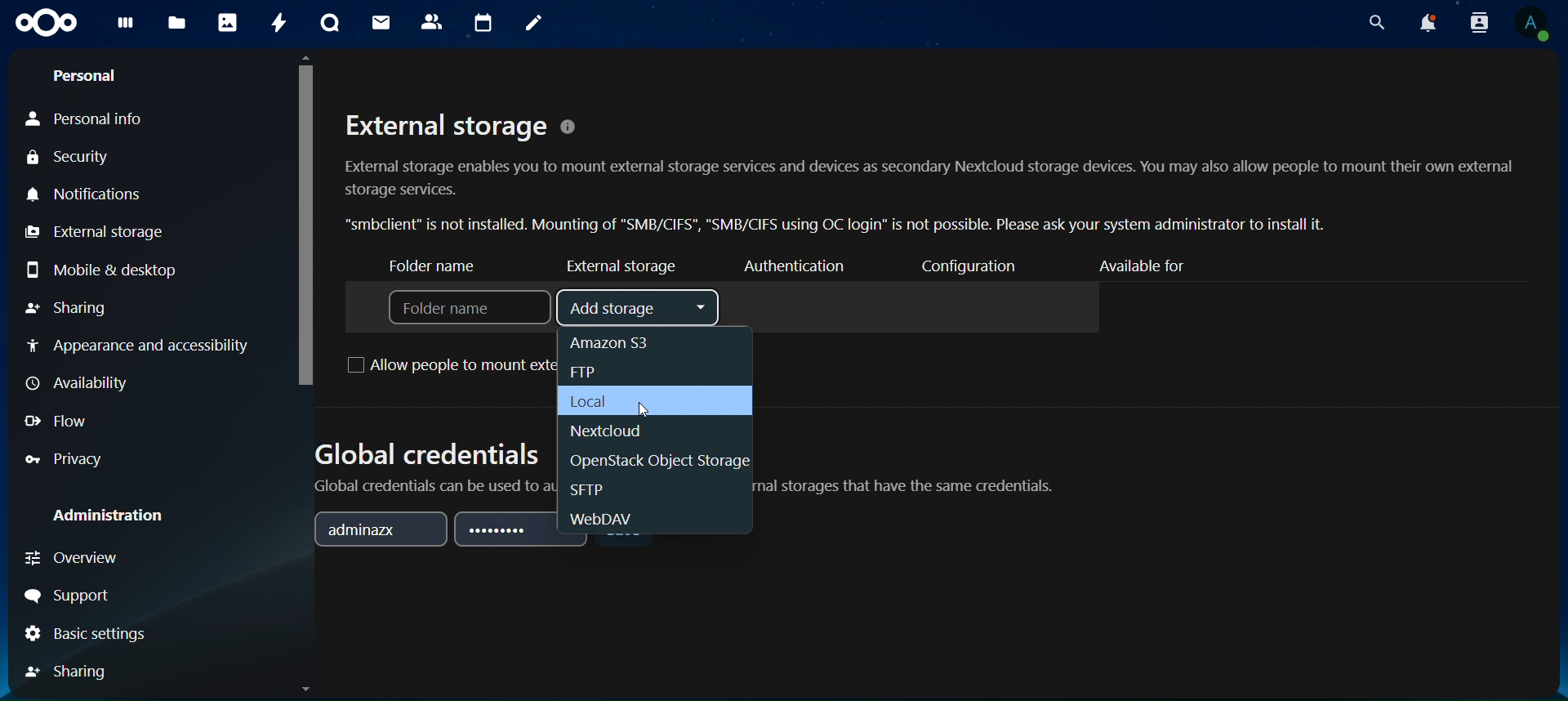 Image resolution: width=1568 pixels, height=701 pixels. I want to click on availiabilty, so click(82, 383).